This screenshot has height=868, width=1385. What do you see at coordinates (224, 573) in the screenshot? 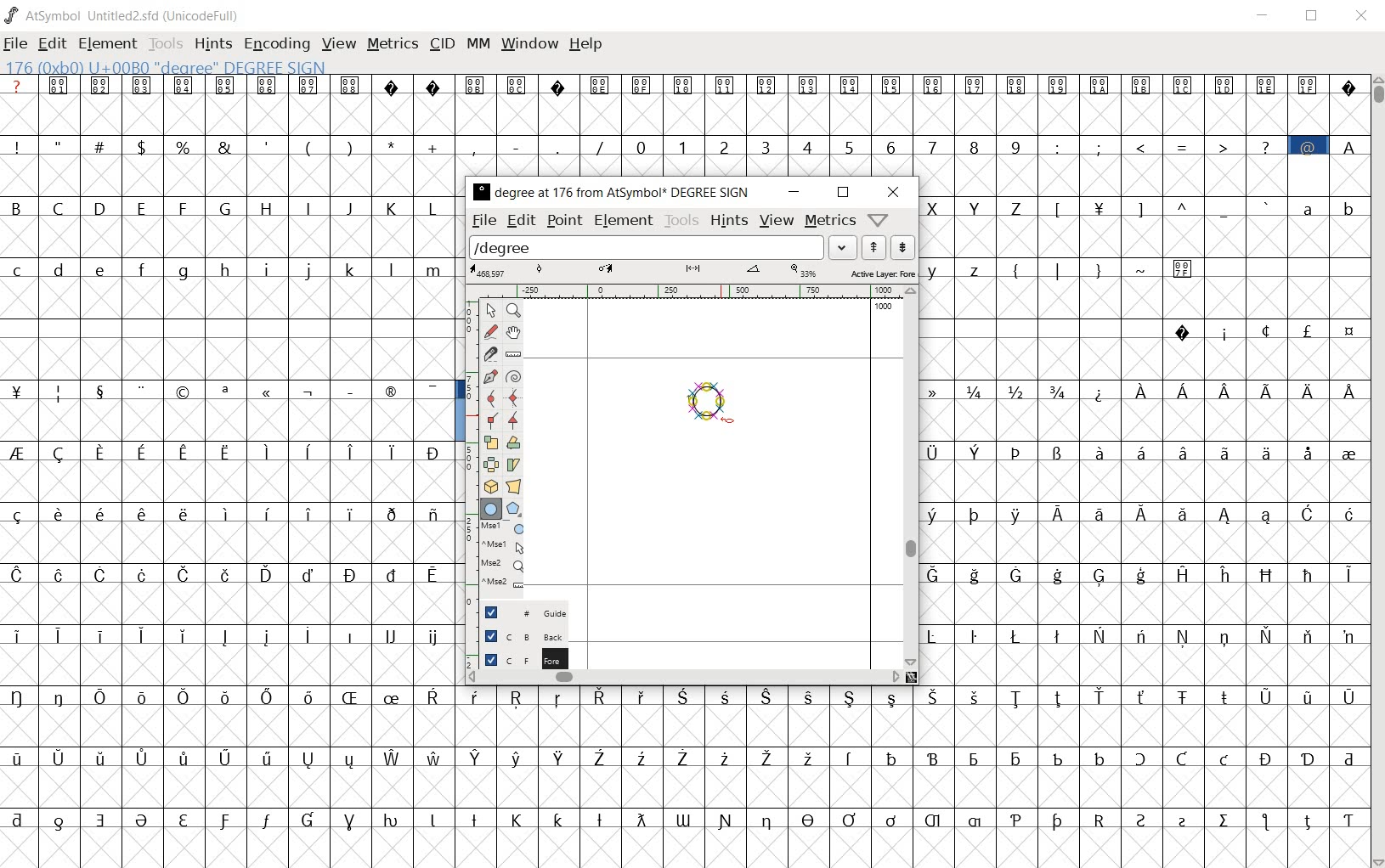
I see `` at bounding box center [224, 573].